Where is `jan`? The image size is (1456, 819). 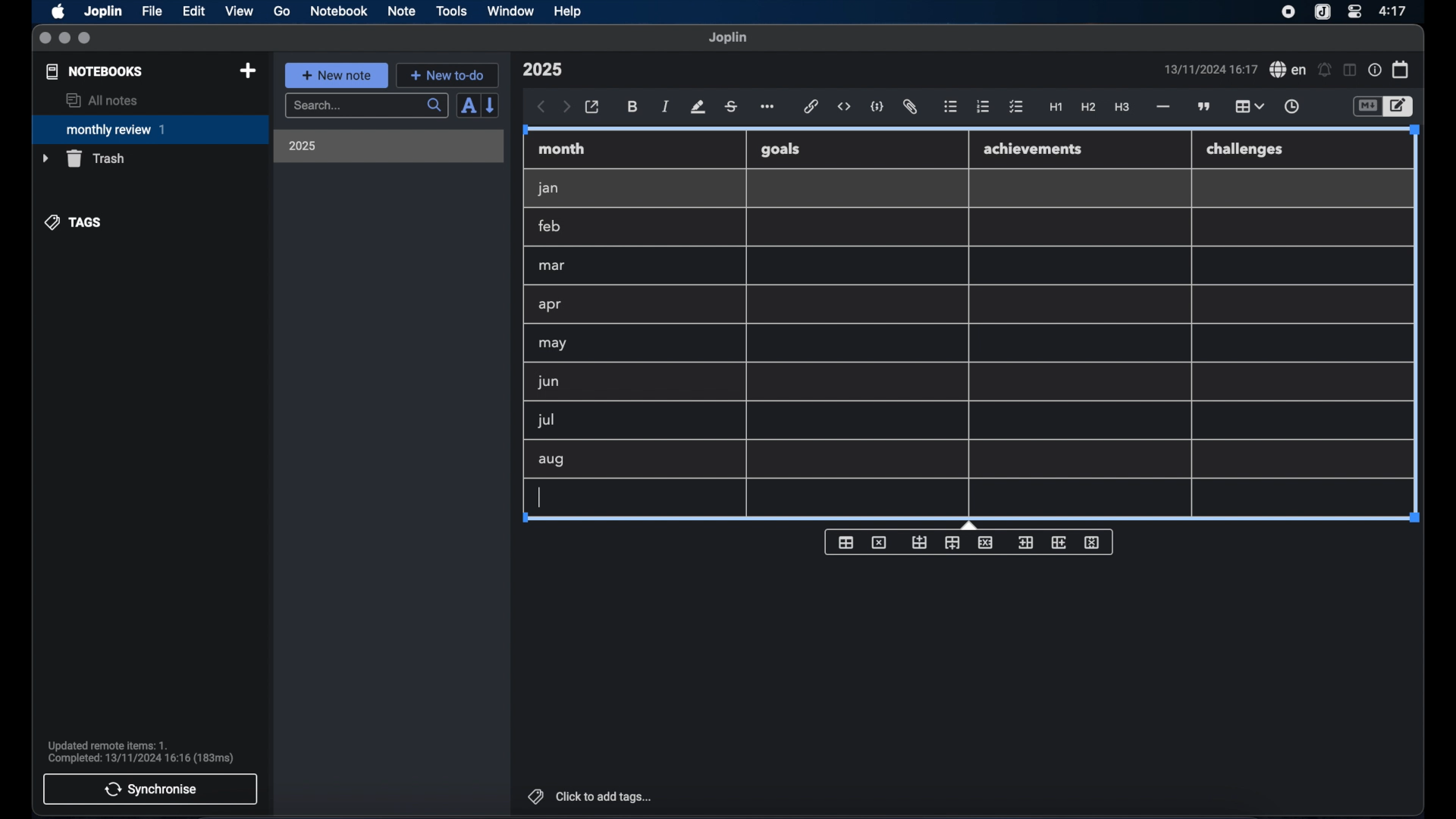 jan is located at coordinates (548, 189).